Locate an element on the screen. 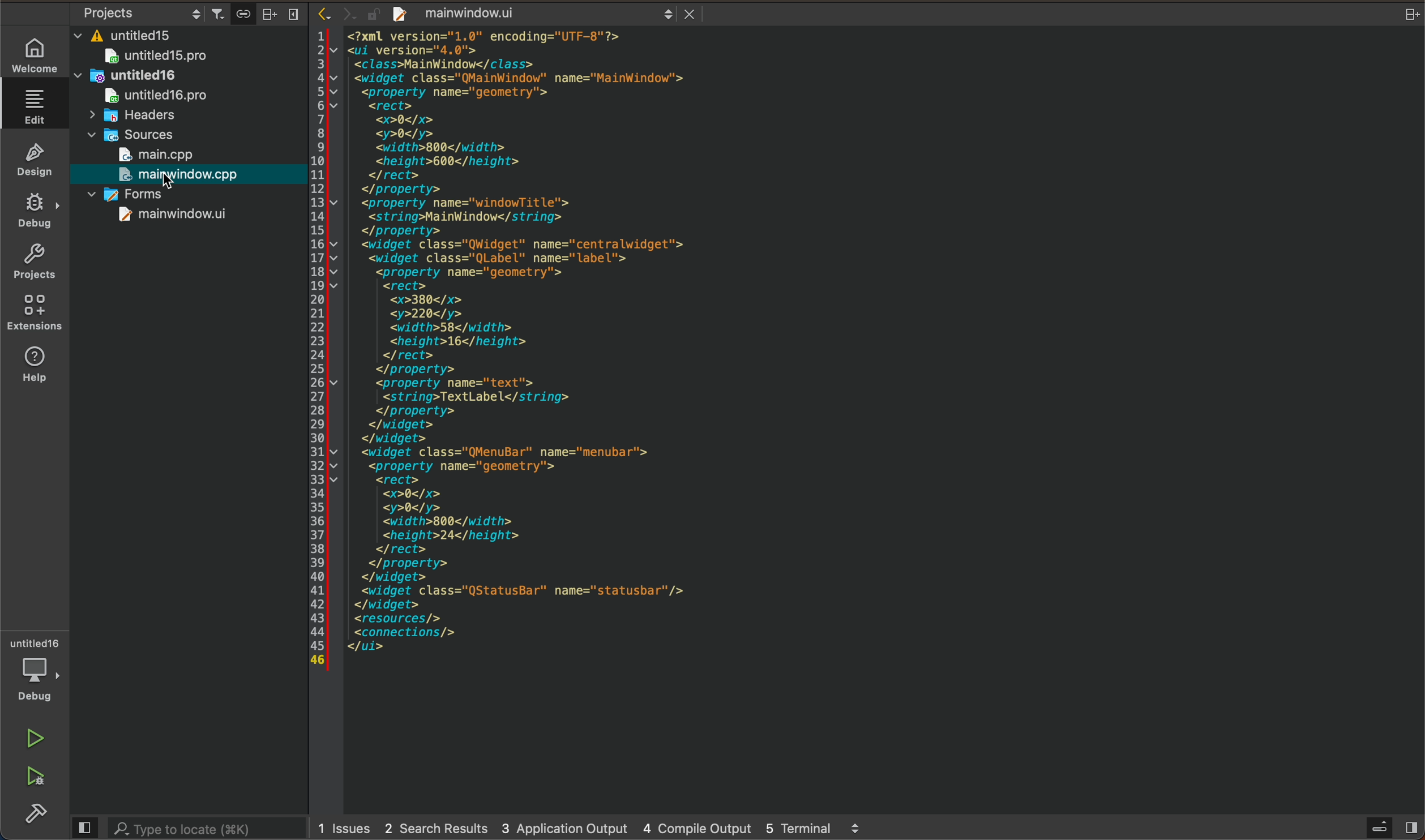 The height and width of the screenshot is (840, 1425). run is located at coordinates (38, 738).